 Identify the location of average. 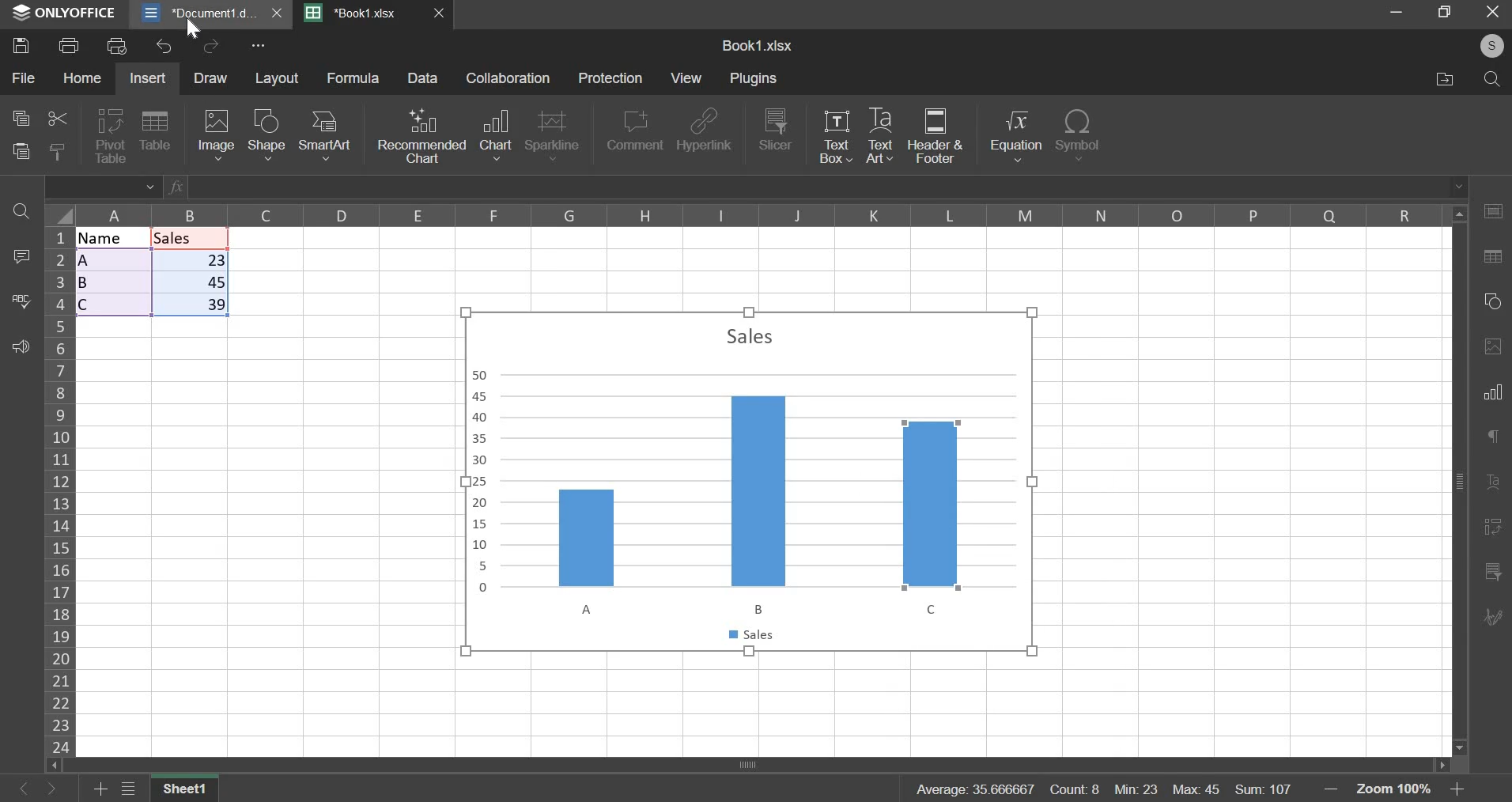
(977, 786).